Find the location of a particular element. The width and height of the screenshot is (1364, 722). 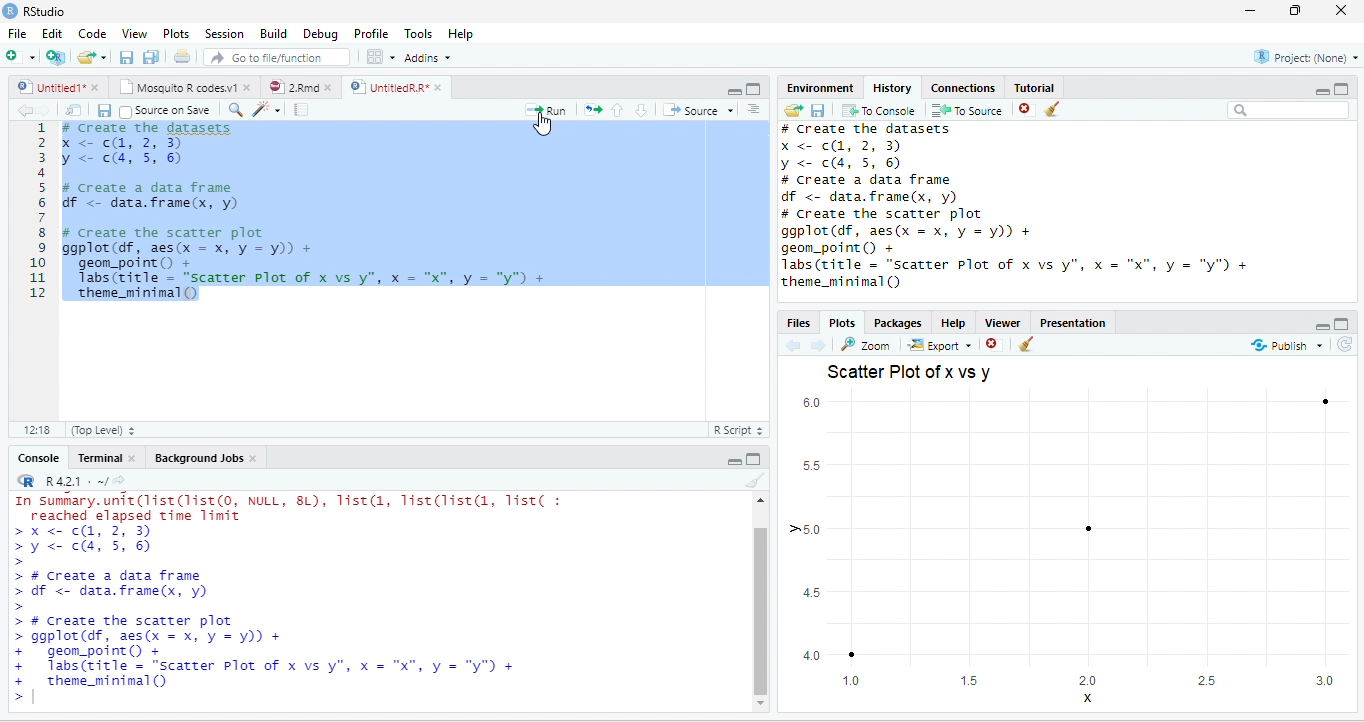

Load history from an existing file is located at coordinates (792, 111).